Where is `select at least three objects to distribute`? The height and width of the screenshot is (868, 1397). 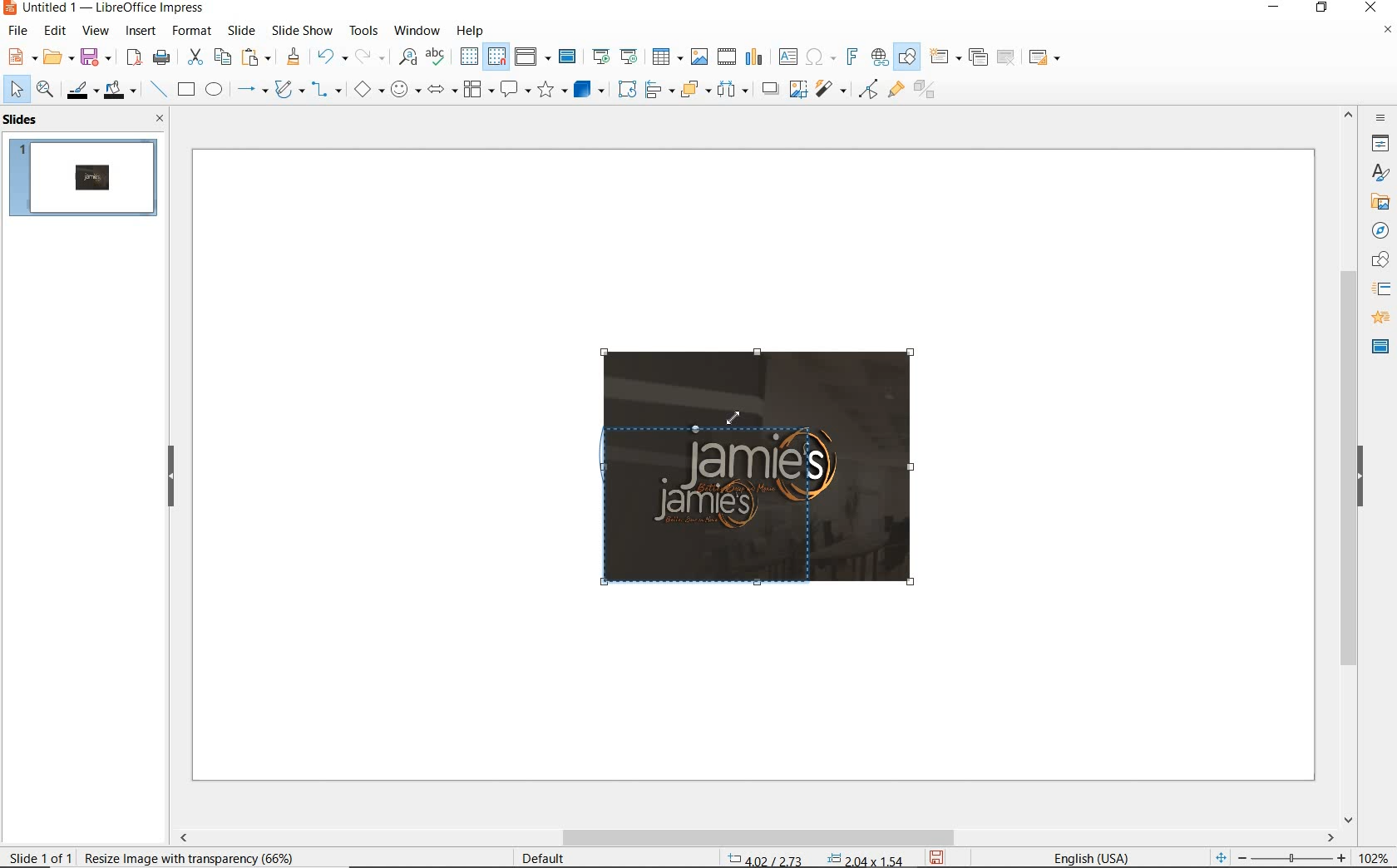 select at least three objects to distribute is located at coordinates (733, 90).